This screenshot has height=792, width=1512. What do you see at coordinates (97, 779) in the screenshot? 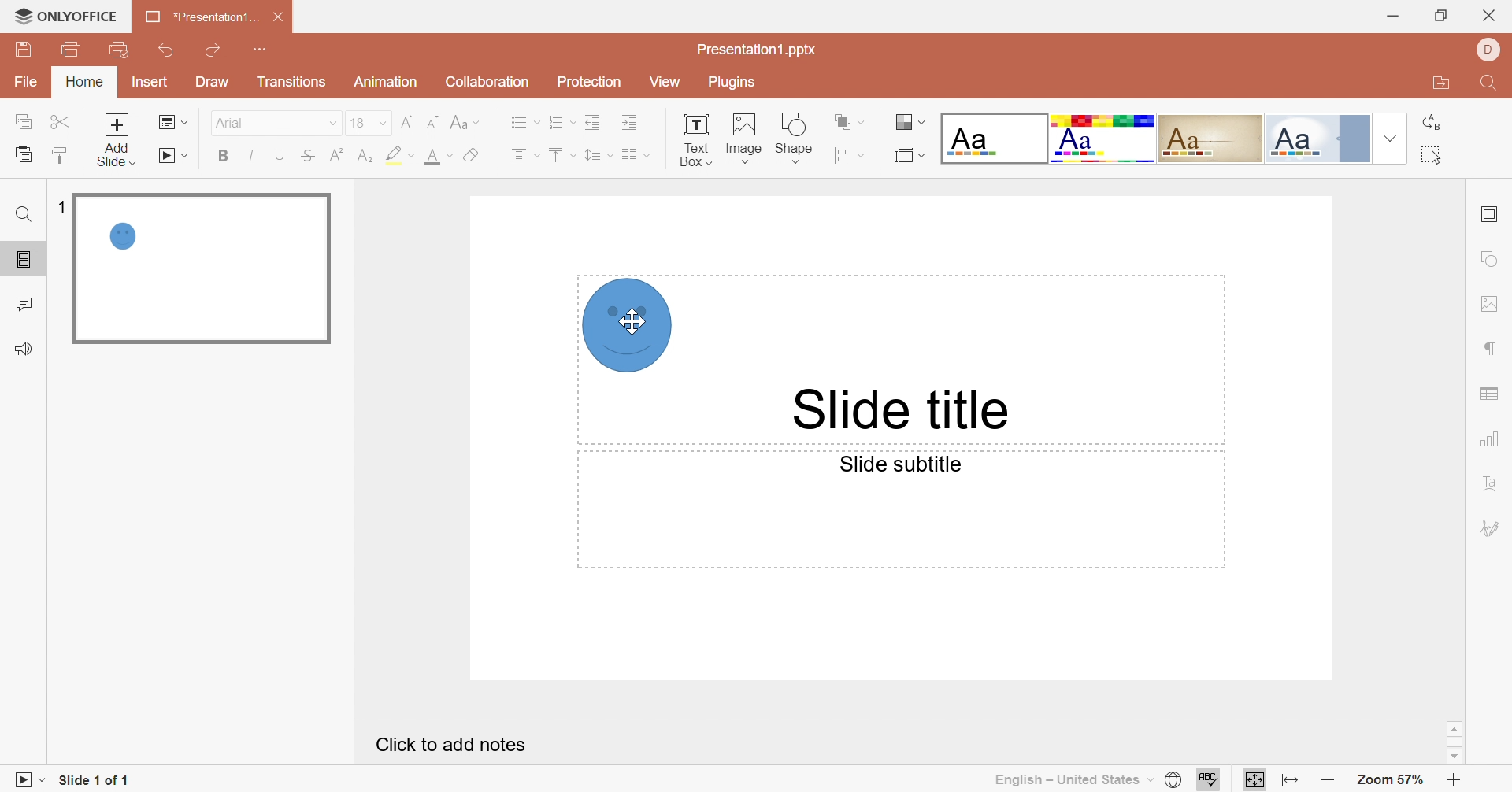
I see `Slide 1 of 1` at bounding box center [97, 779].